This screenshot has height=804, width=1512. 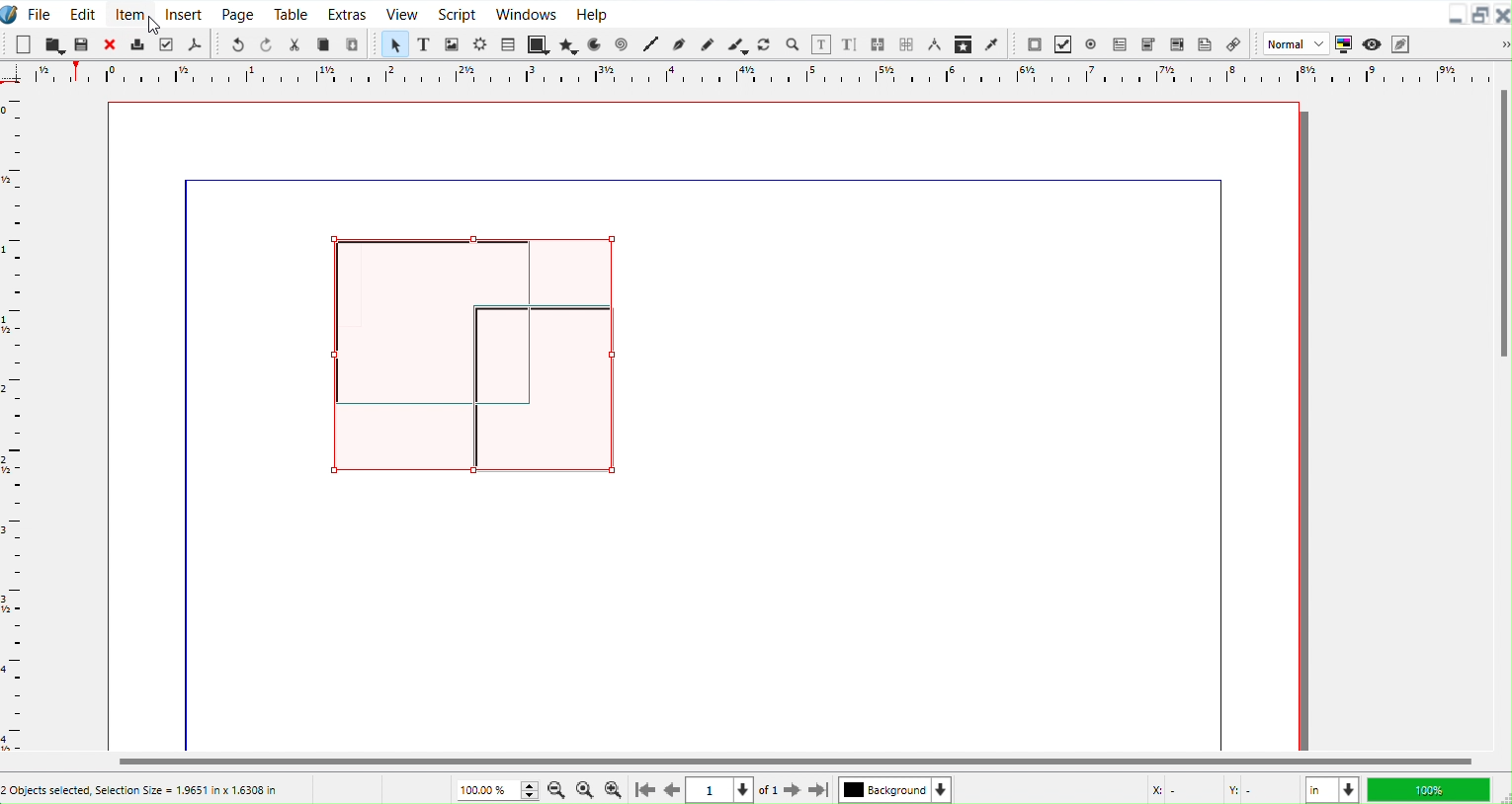 I want to click on Measurements, so click(x=936, y=45).